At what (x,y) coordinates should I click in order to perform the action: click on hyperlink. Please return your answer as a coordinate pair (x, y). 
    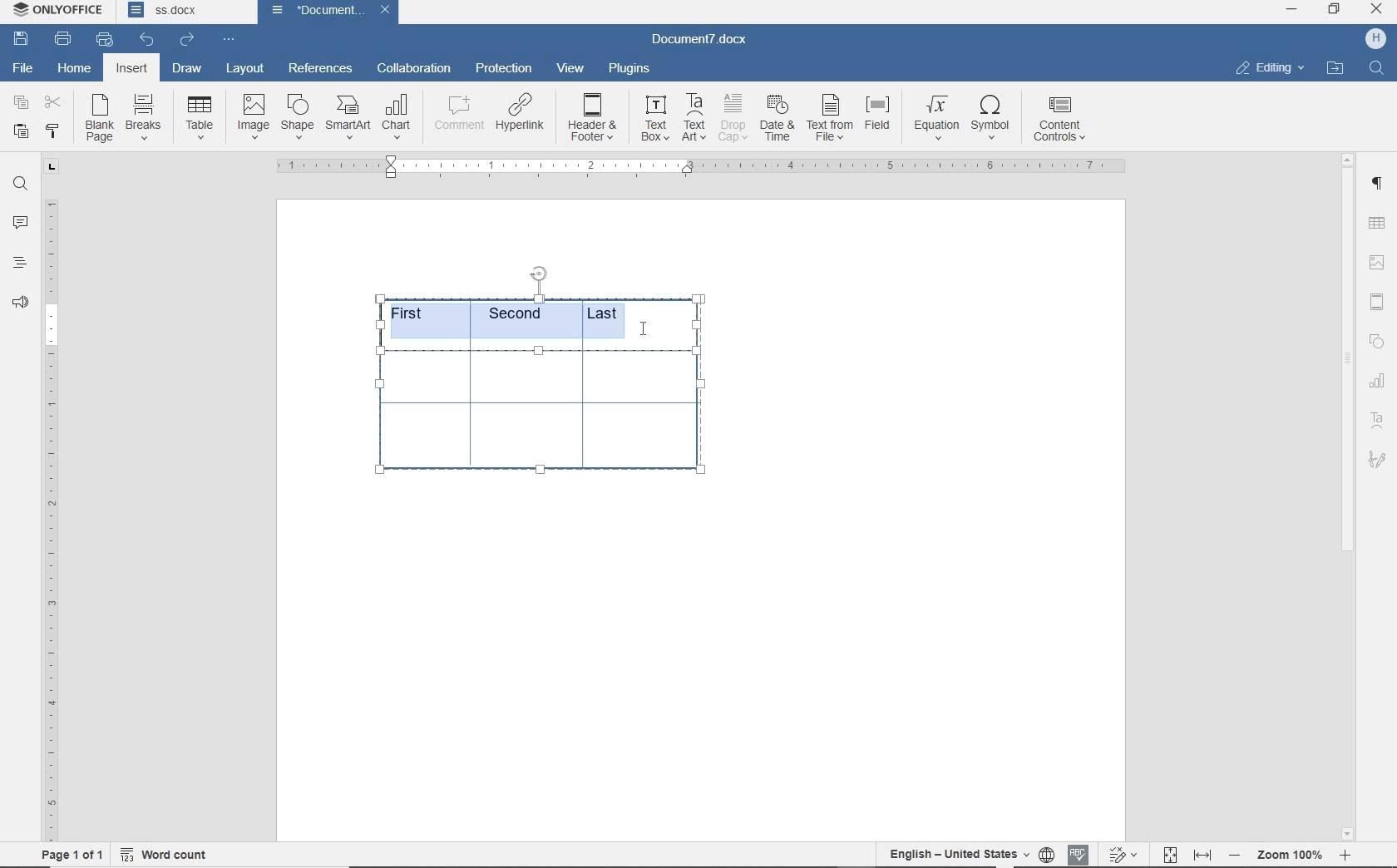
    Looking at the image, I should click on (522, 116).